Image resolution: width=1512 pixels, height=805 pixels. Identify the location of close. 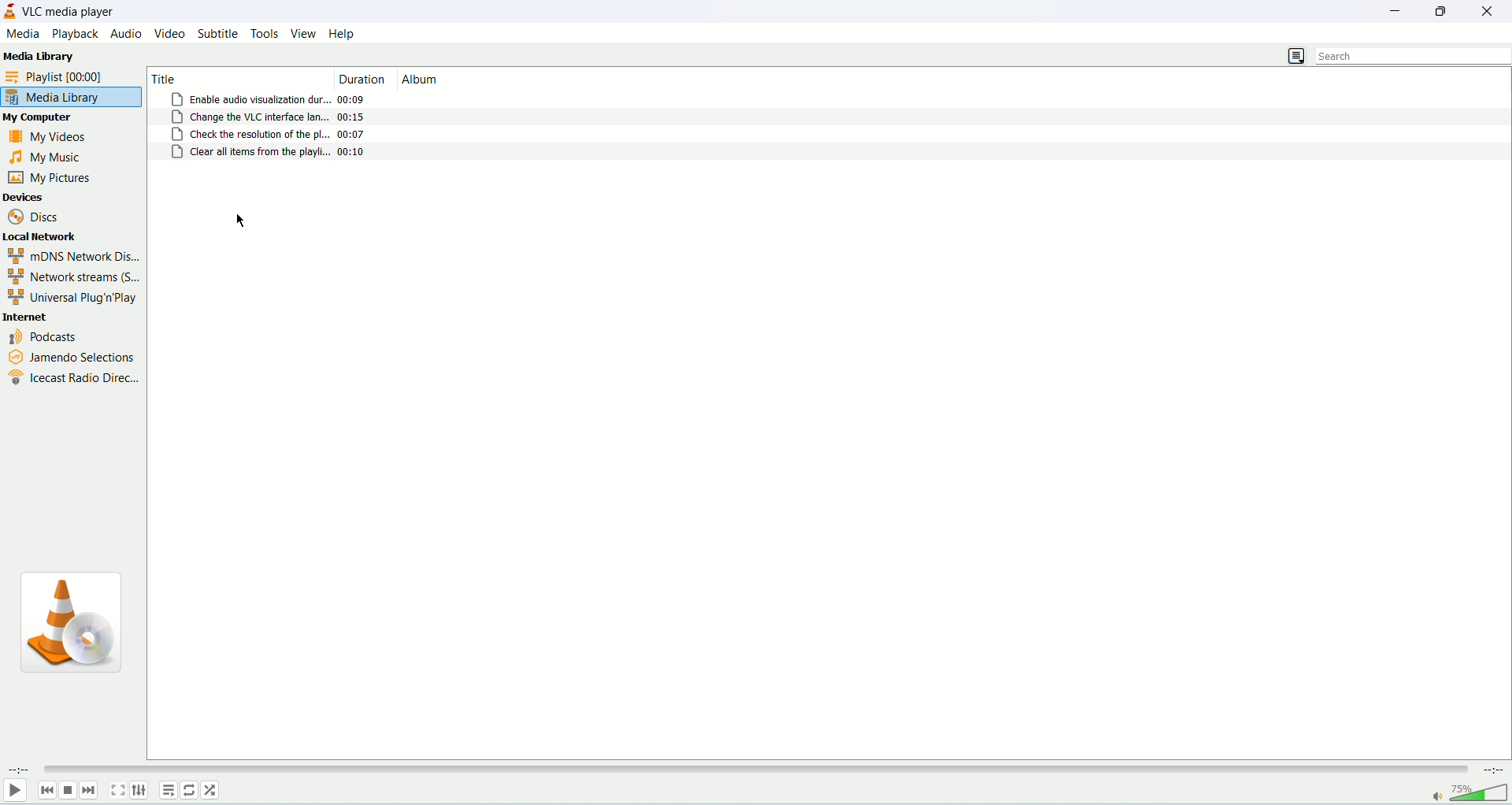
(1492, 12).